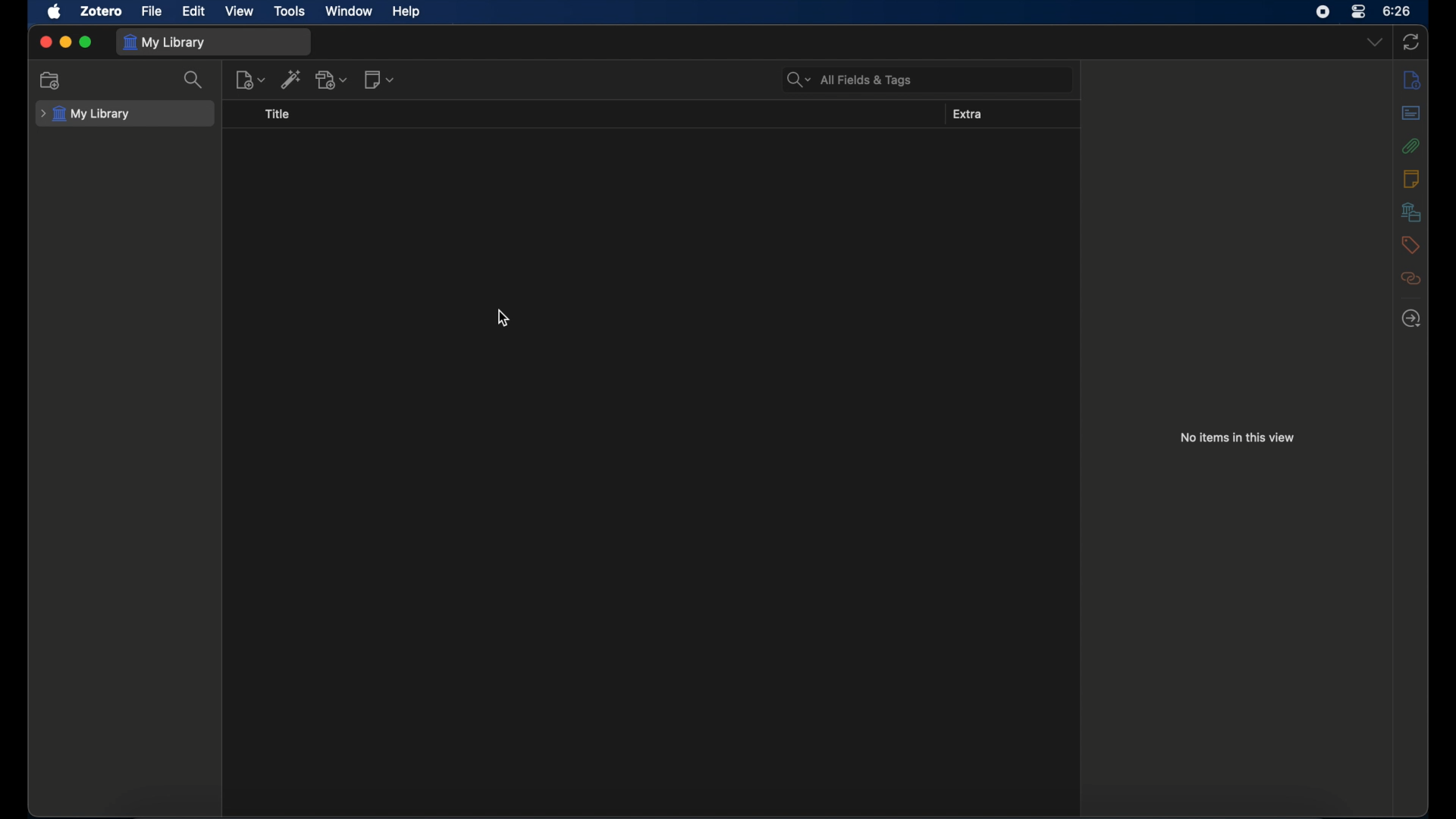 The width and height of the screenshot is (1456, 819). Describe the element at coordinates (349, 10) in the screenshot. I see `window` at that location.